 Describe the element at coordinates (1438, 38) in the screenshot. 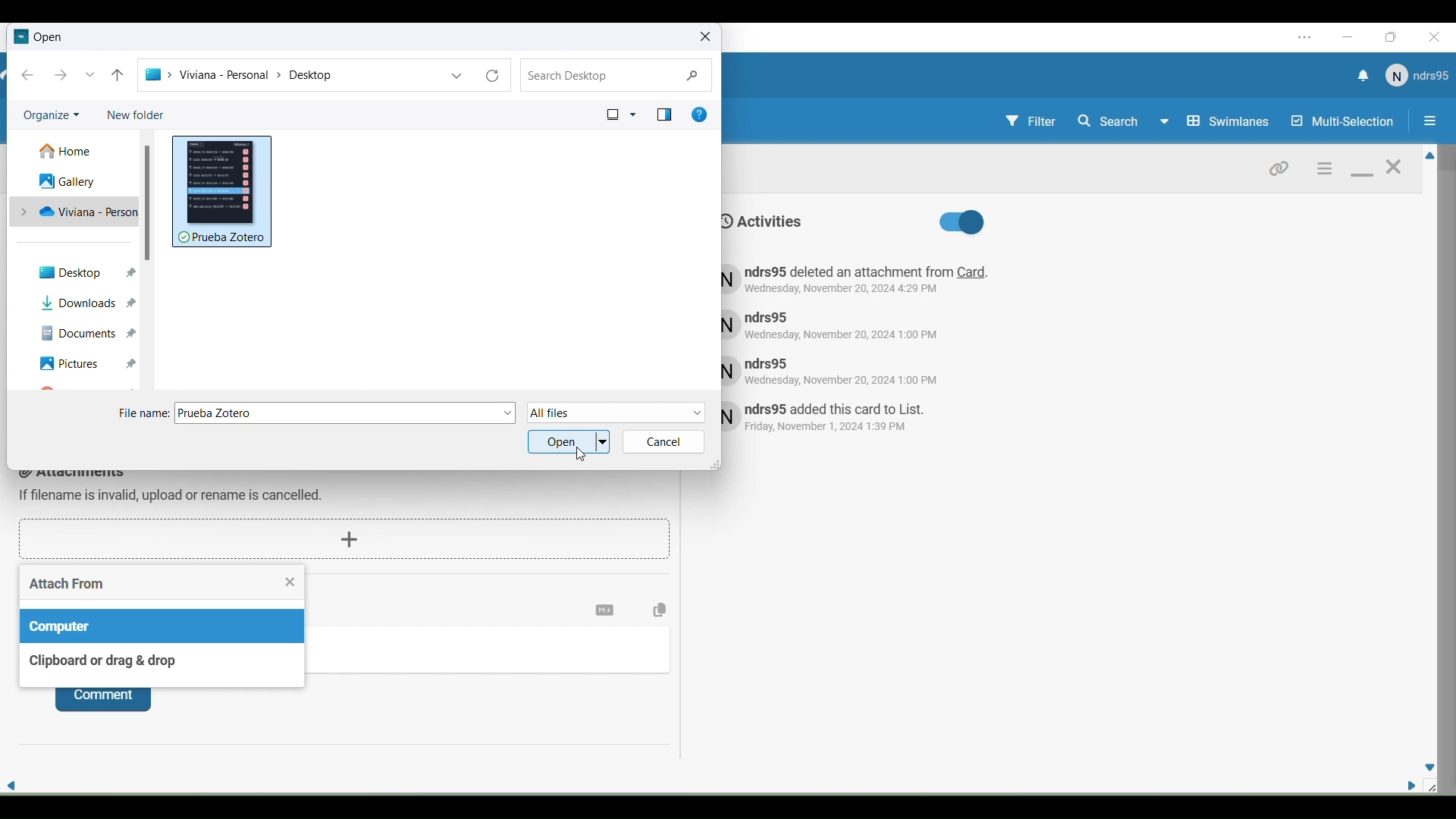

I see `Close` at that location.